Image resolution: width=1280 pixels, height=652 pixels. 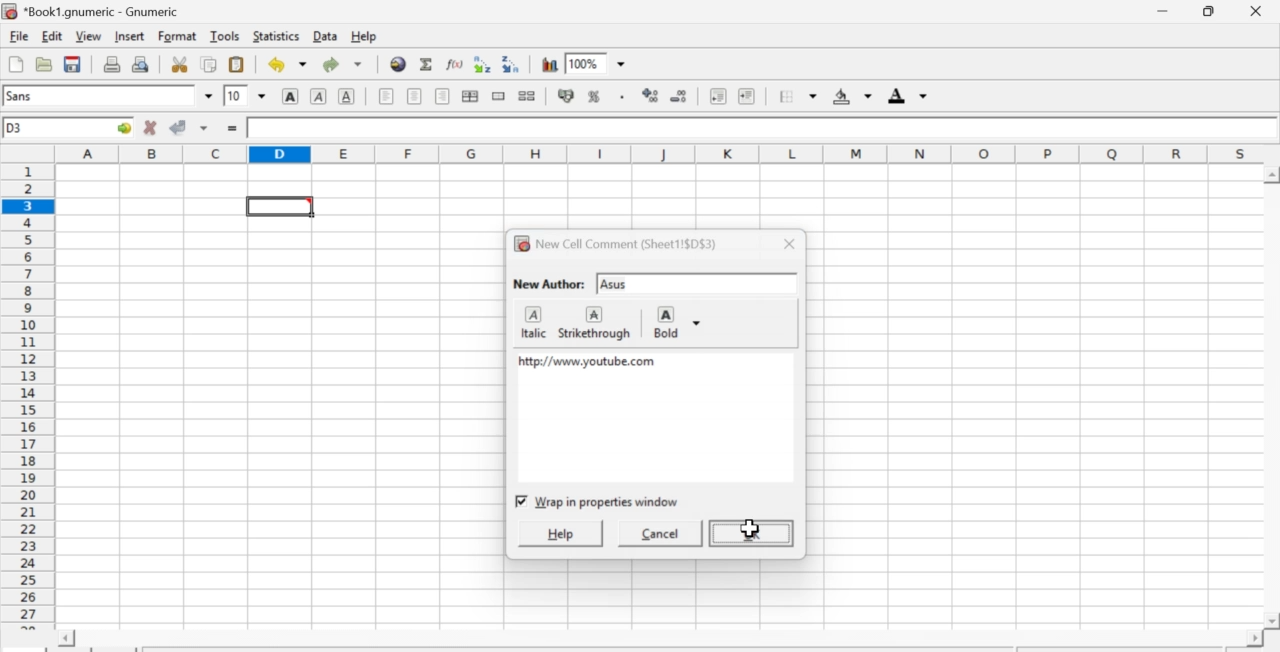 What do you see at coordinates (659, 152) in the screenshot?
I see `alphabets row` at bounding box center [659, 152].